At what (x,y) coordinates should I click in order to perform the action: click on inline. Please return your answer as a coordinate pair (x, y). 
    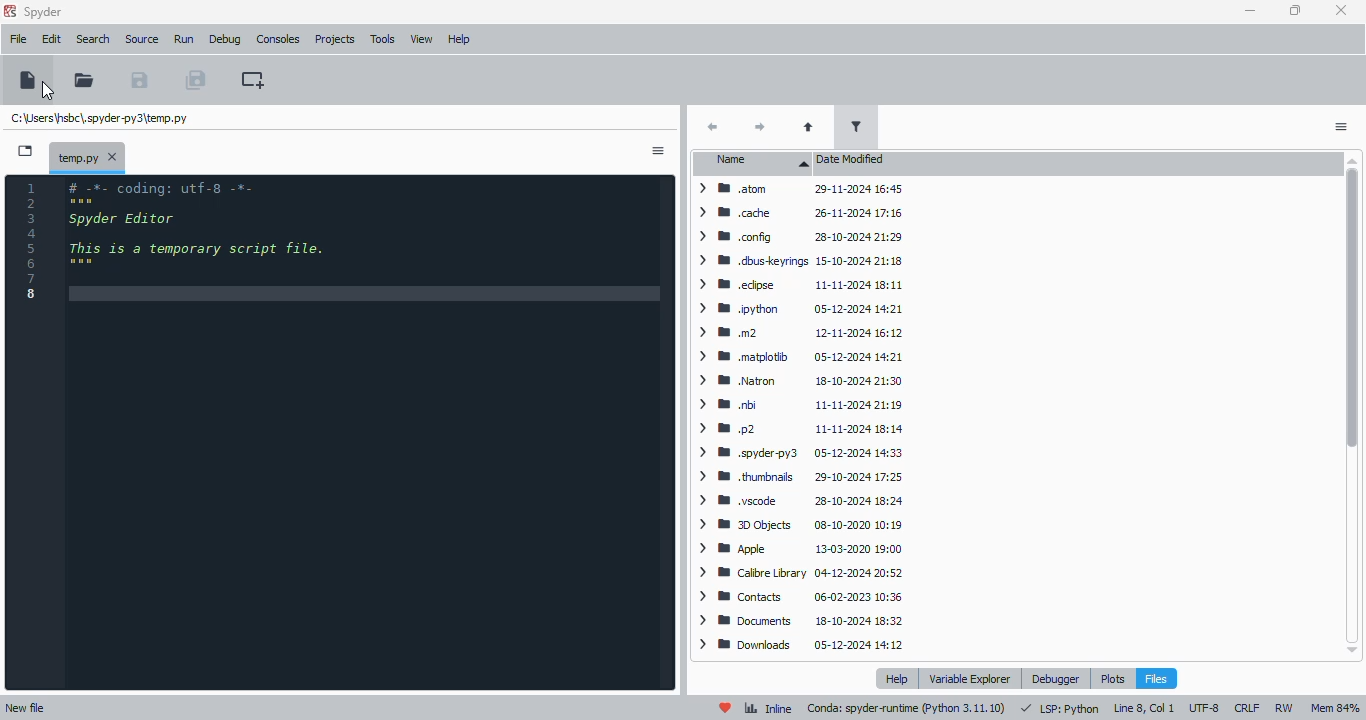
    Looking at the image, I should click on (768, 708).